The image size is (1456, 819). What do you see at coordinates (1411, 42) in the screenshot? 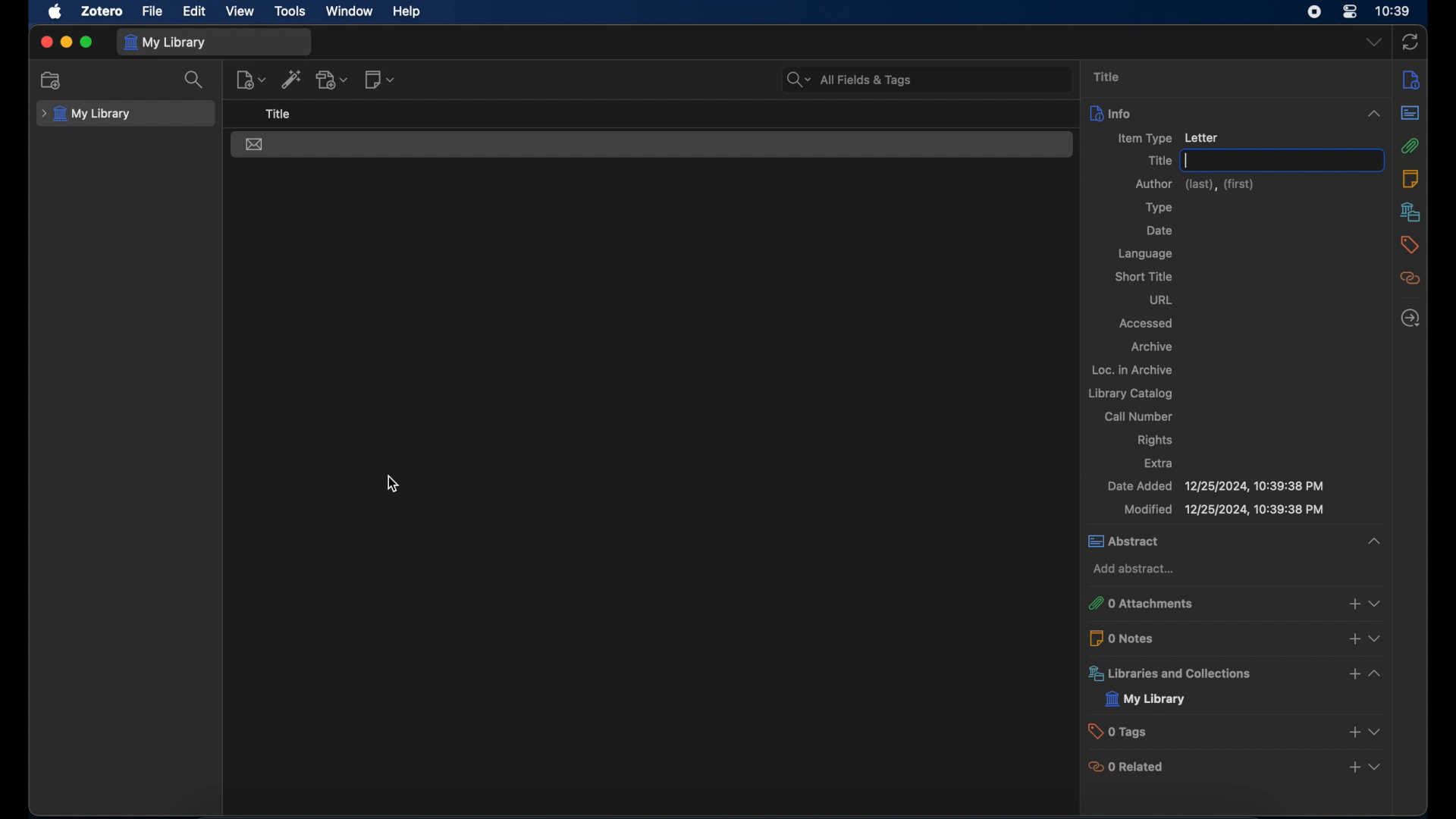
I see `sync` at bounding box center [1411, 42].